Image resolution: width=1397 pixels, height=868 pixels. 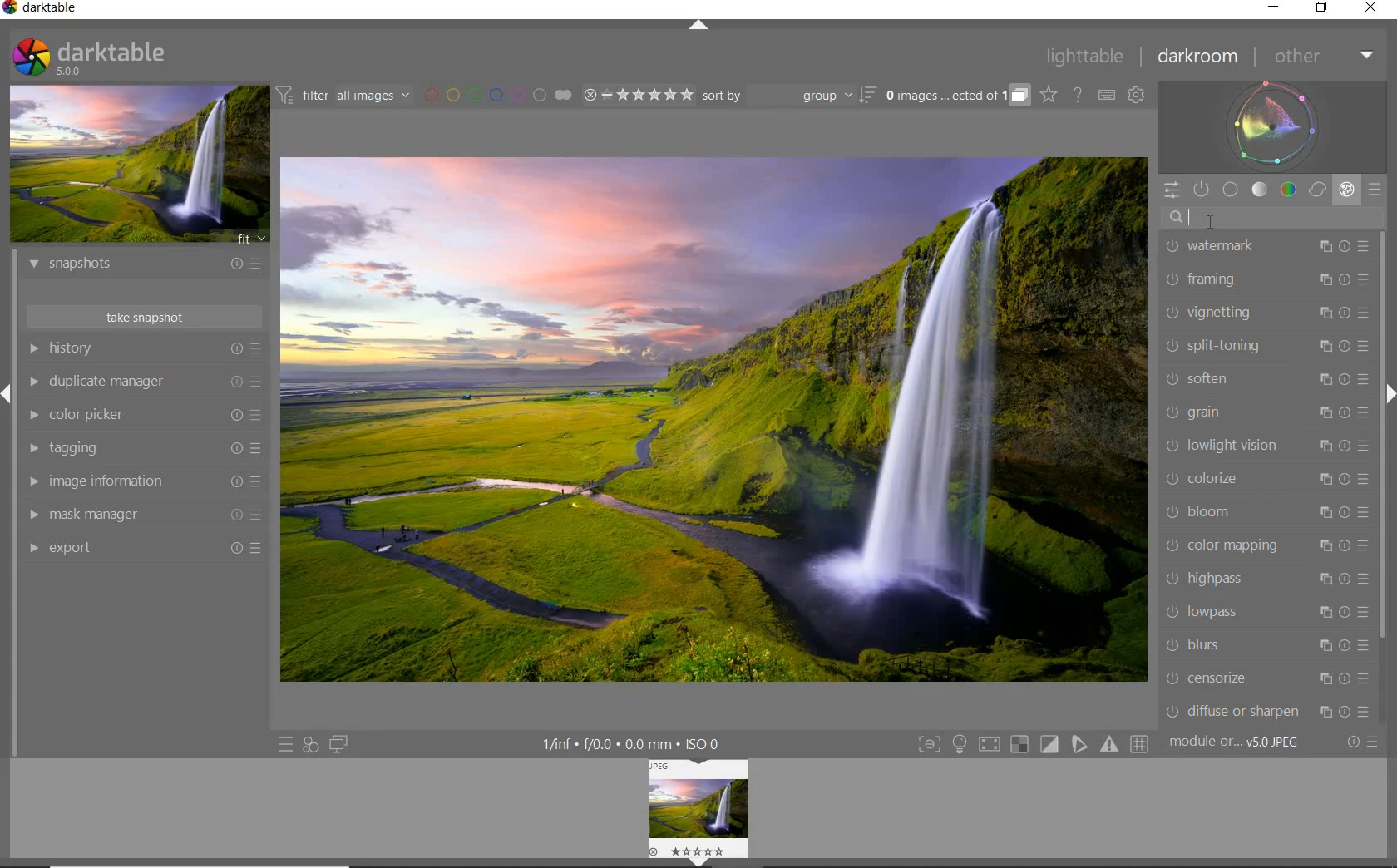 What do you see at coordinates (1266, 581) in the screenshot?
I see `highpass` at bounding box center [1266, 581].